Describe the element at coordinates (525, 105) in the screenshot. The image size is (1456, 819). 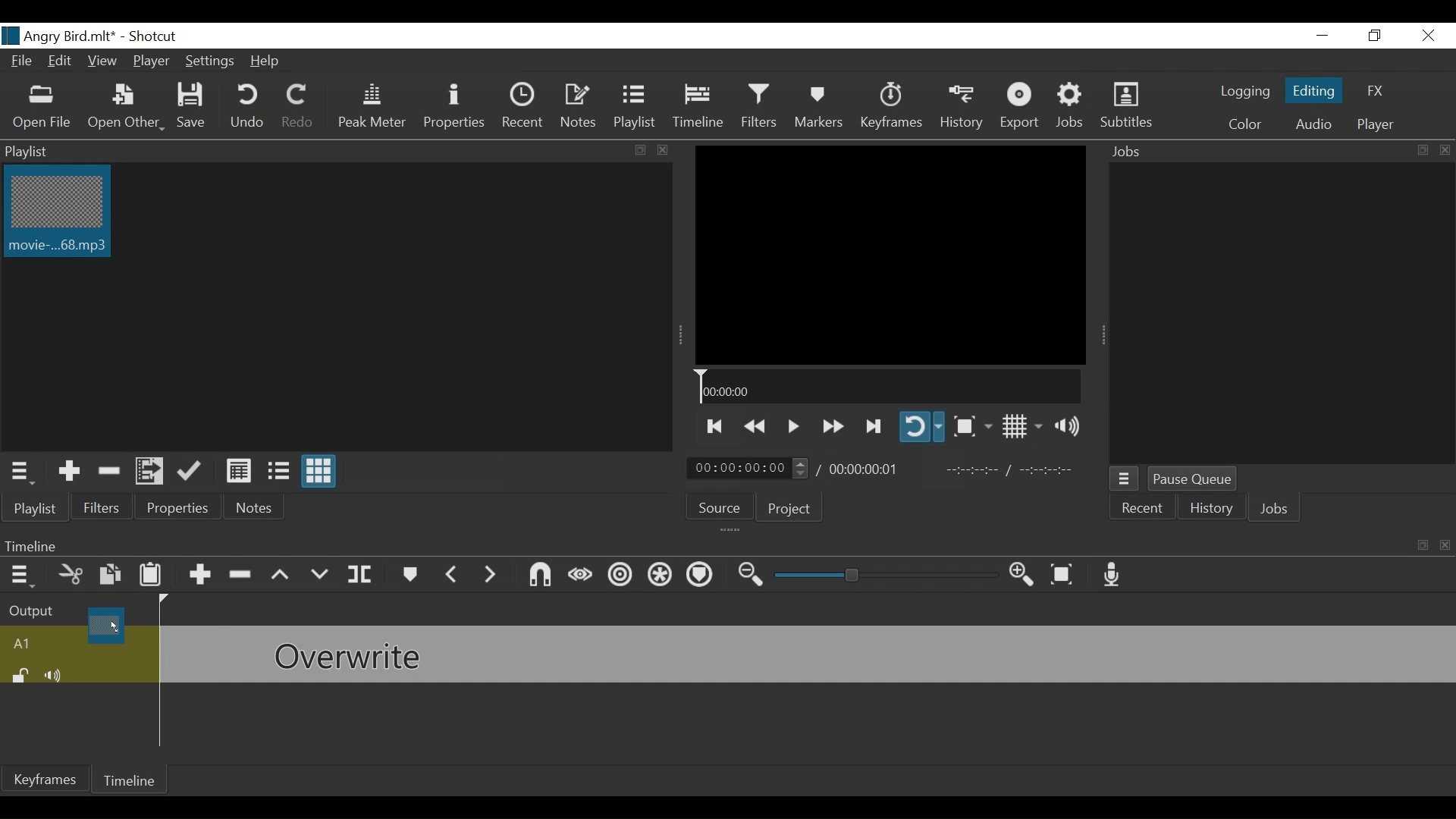
I see `Recent` at that location.